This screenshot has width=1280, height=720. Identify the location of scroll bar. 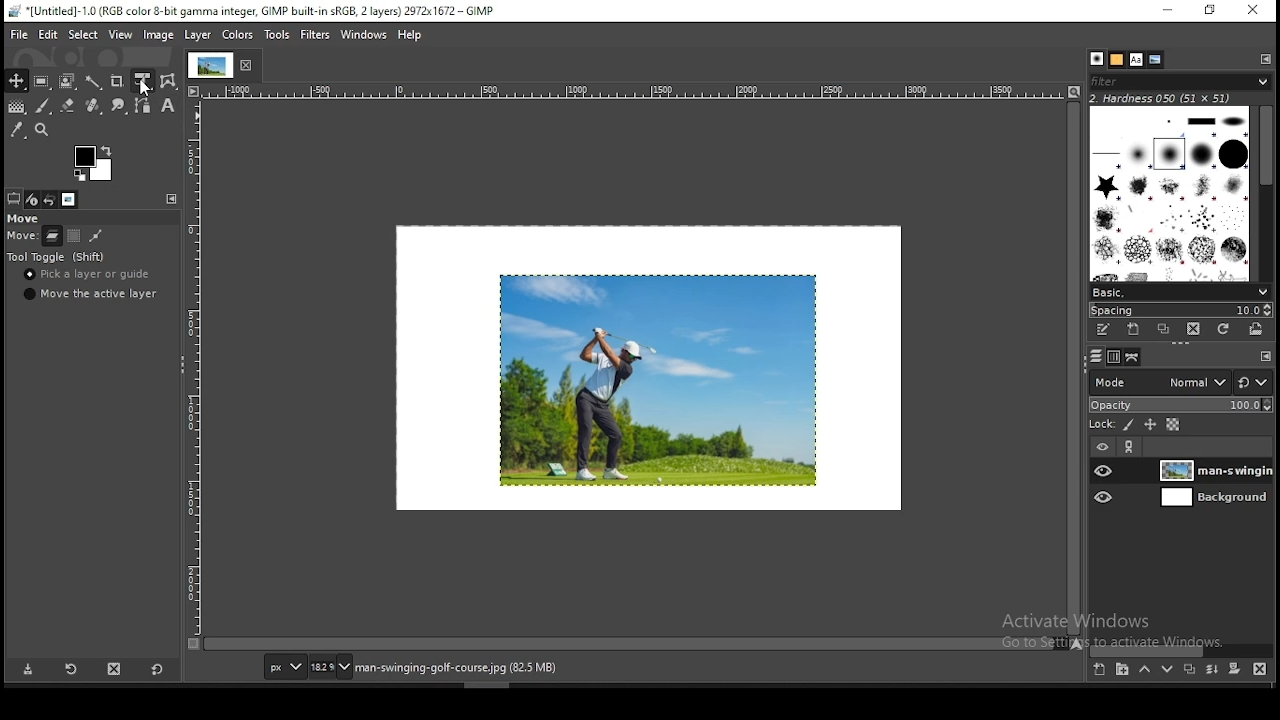
(630, 646).